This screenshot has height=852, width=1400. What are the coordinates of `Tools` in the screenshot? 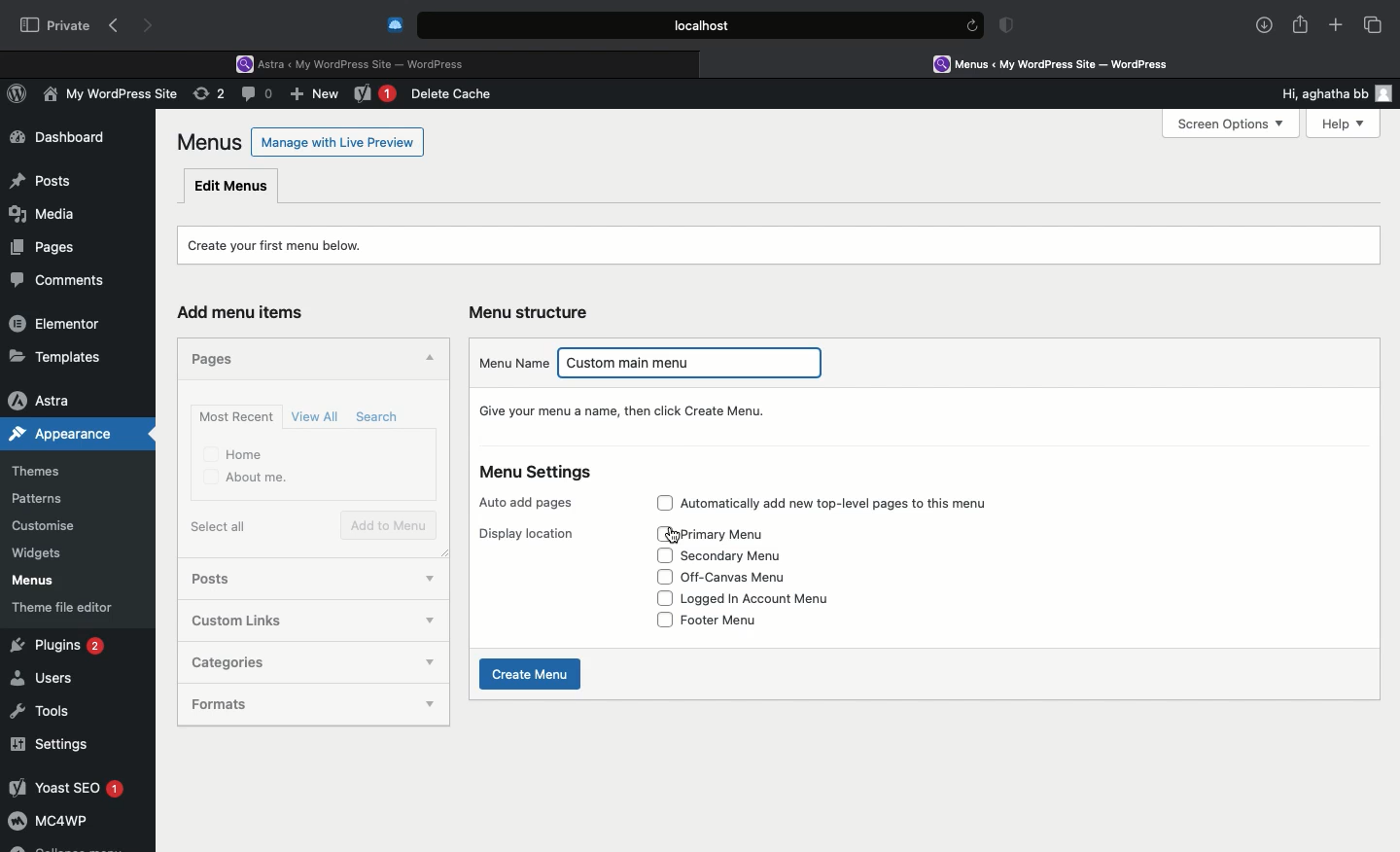 It's located at (42, 708).